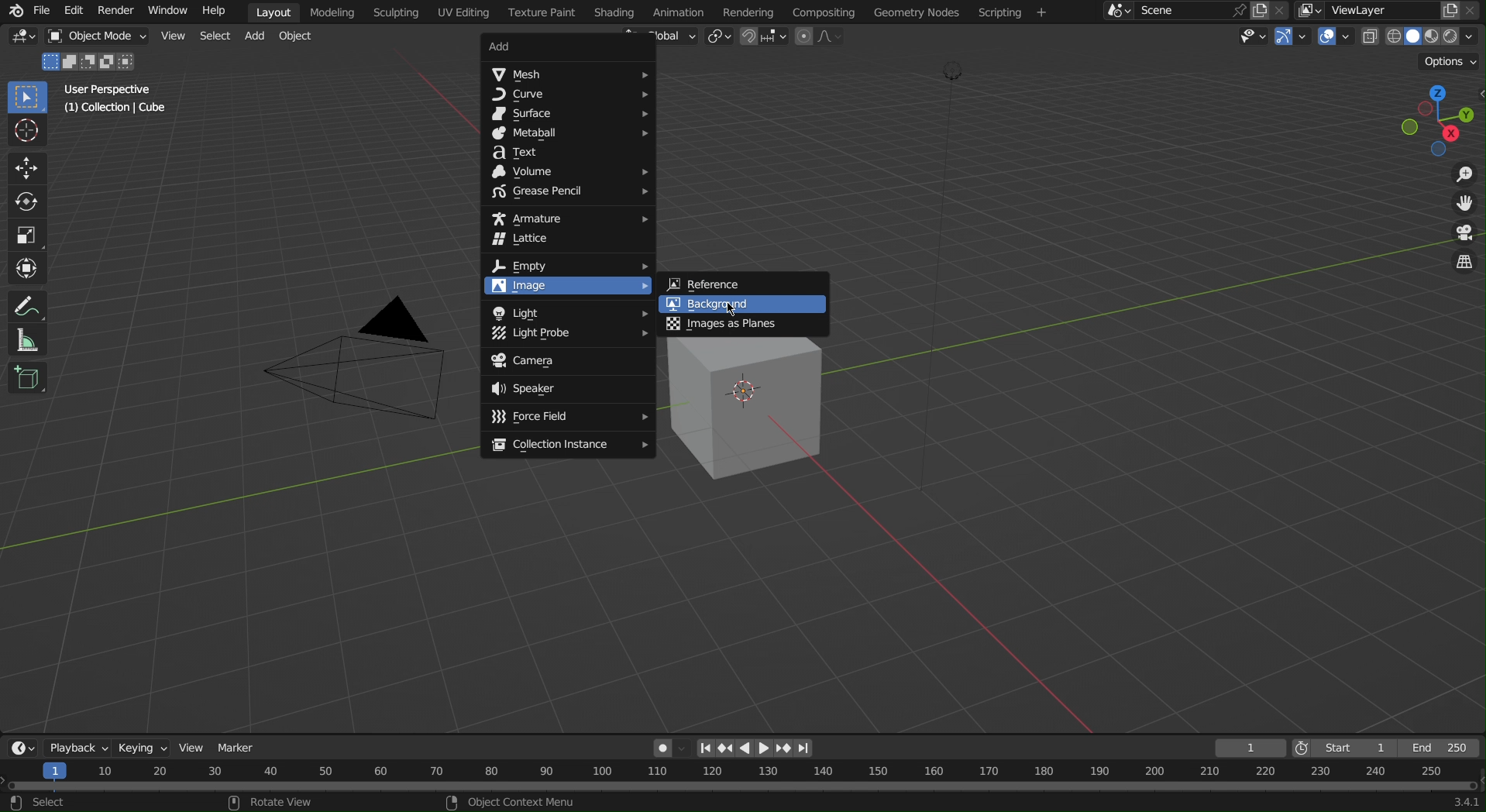 This screenshot has width=1486, height=812. Describe the element at coordinates (569, 155) in the screenshot. I see `Text` at that location.